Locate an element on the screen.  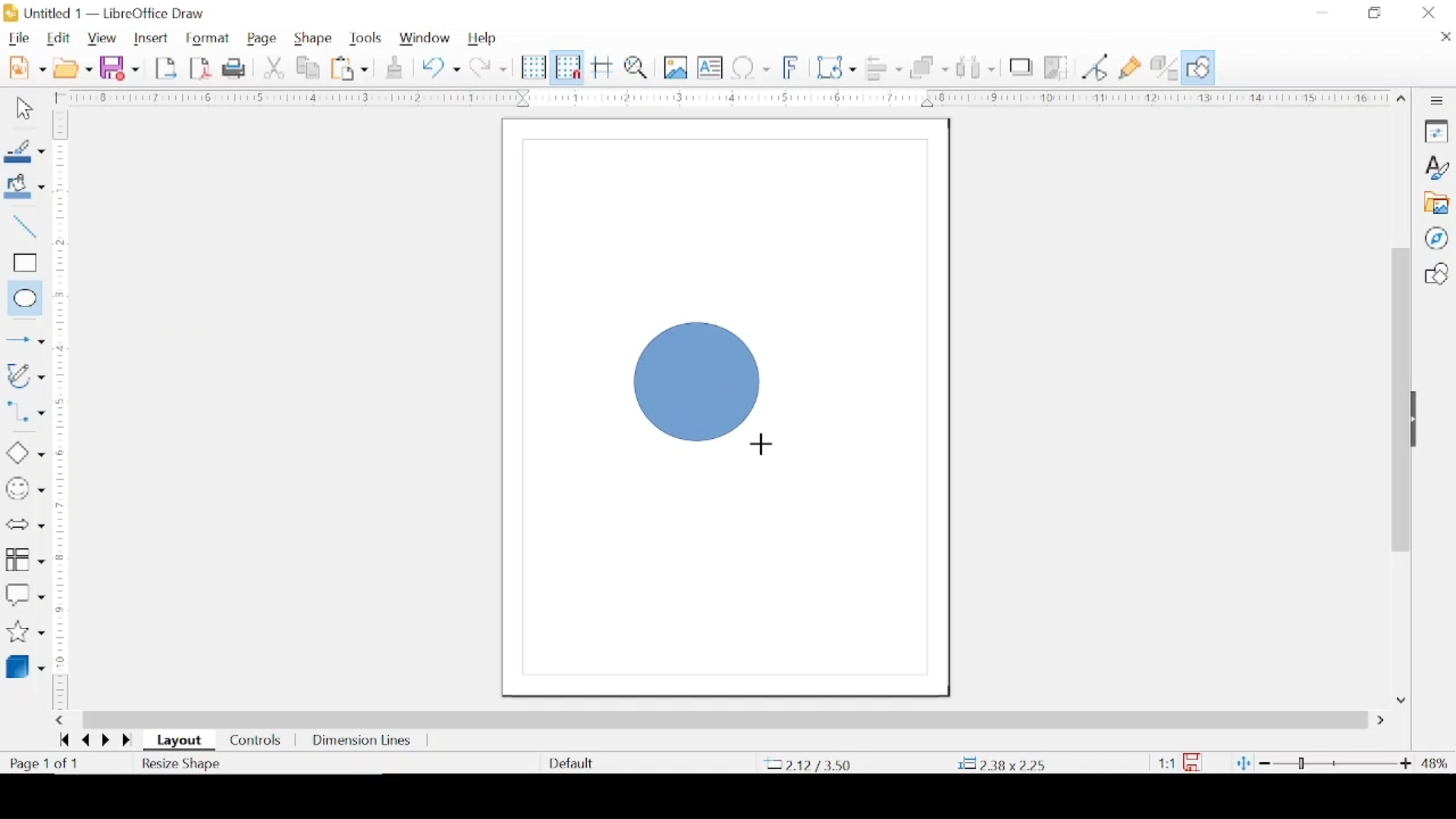
drawing cursor is located at coordinates (764, 445).